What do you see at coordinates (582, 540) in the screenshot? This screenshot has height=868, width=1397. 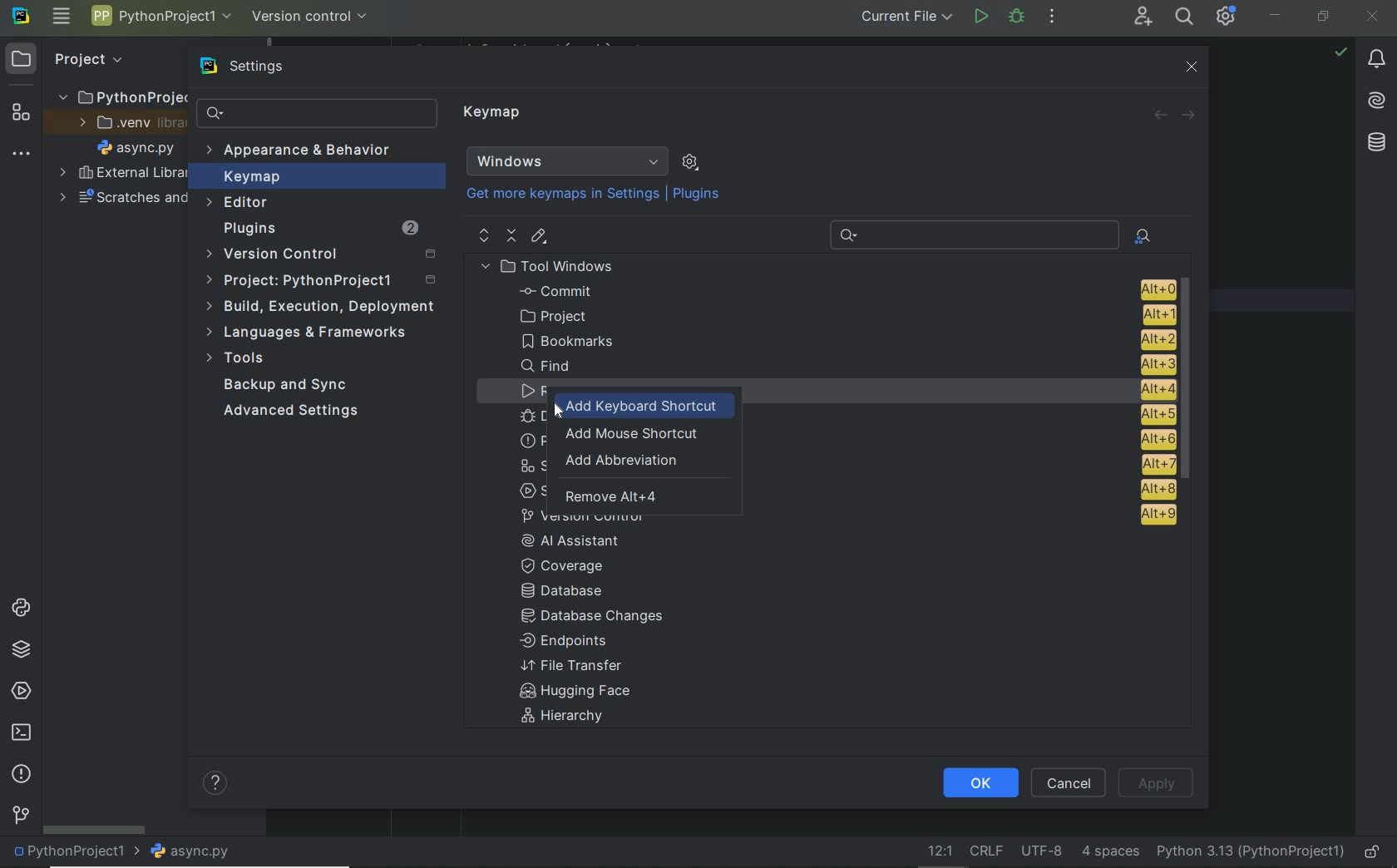 I see `AI Assistant` at bounding box center [582, 540].